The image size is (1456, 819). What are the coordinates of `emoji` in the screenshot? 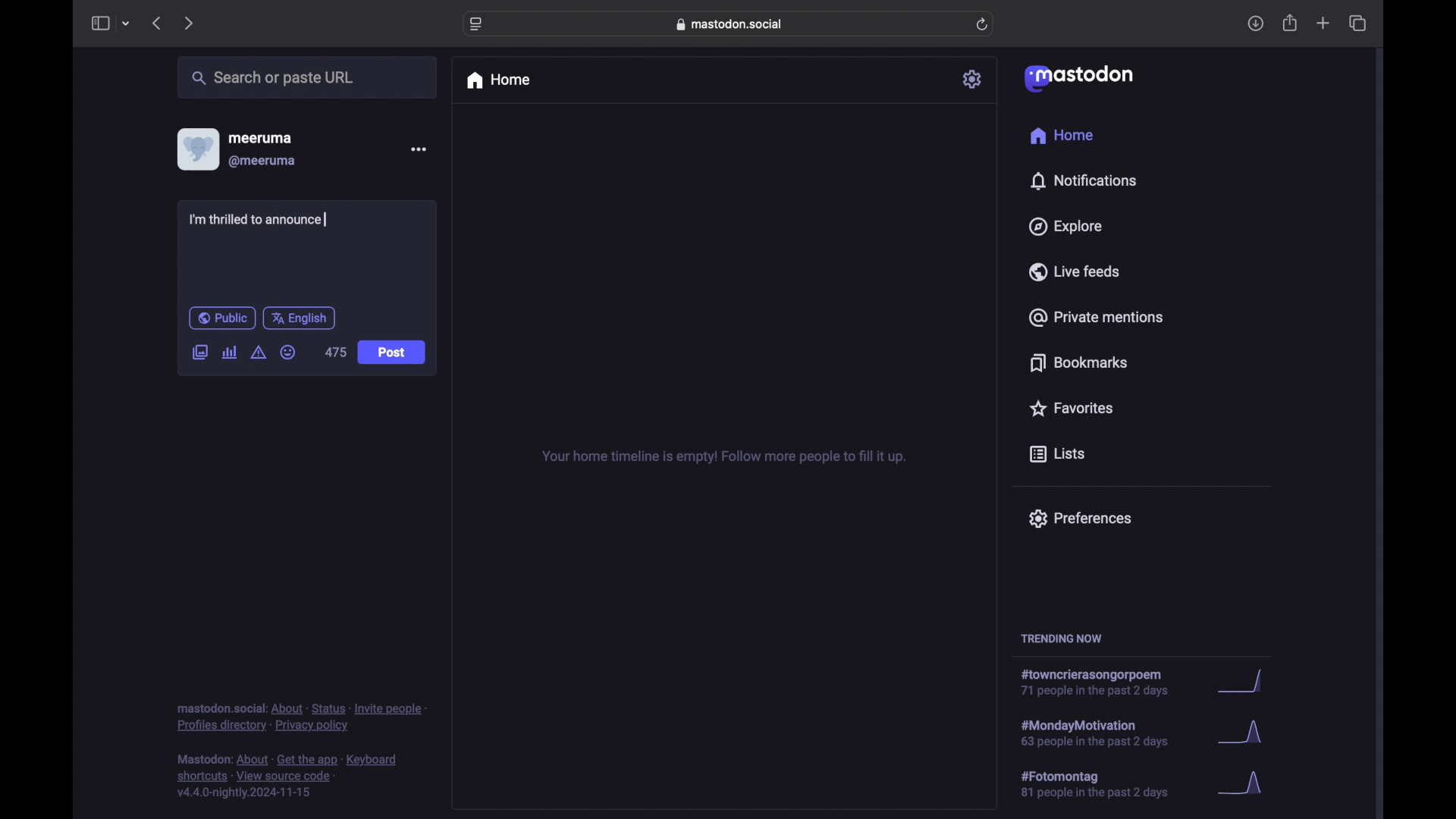 It's located at (287, 352).